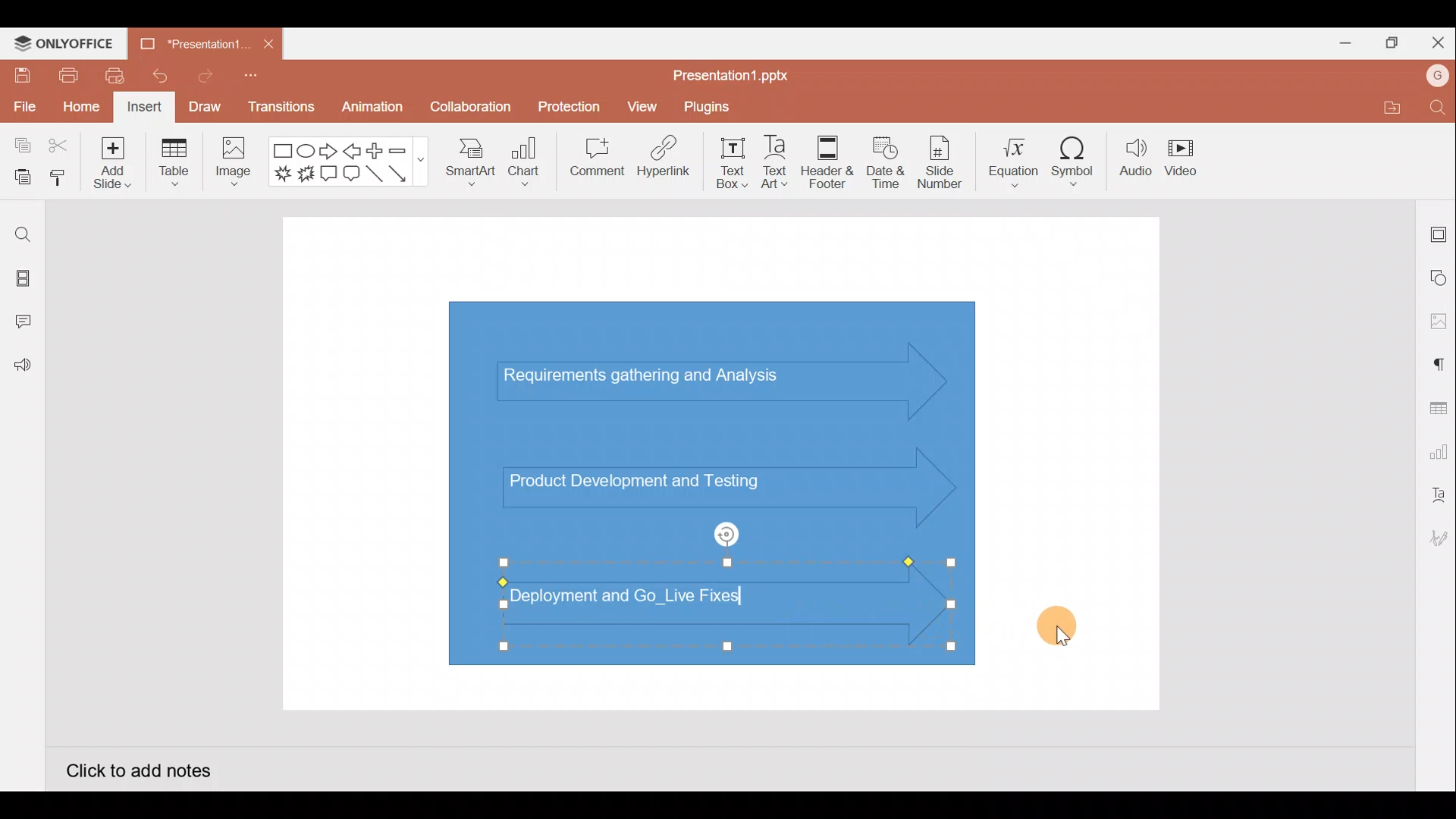 The image size is (1456, 819). Describe the element at coordinates (154, 76) in the screenshot. I see `Undo` at that location.